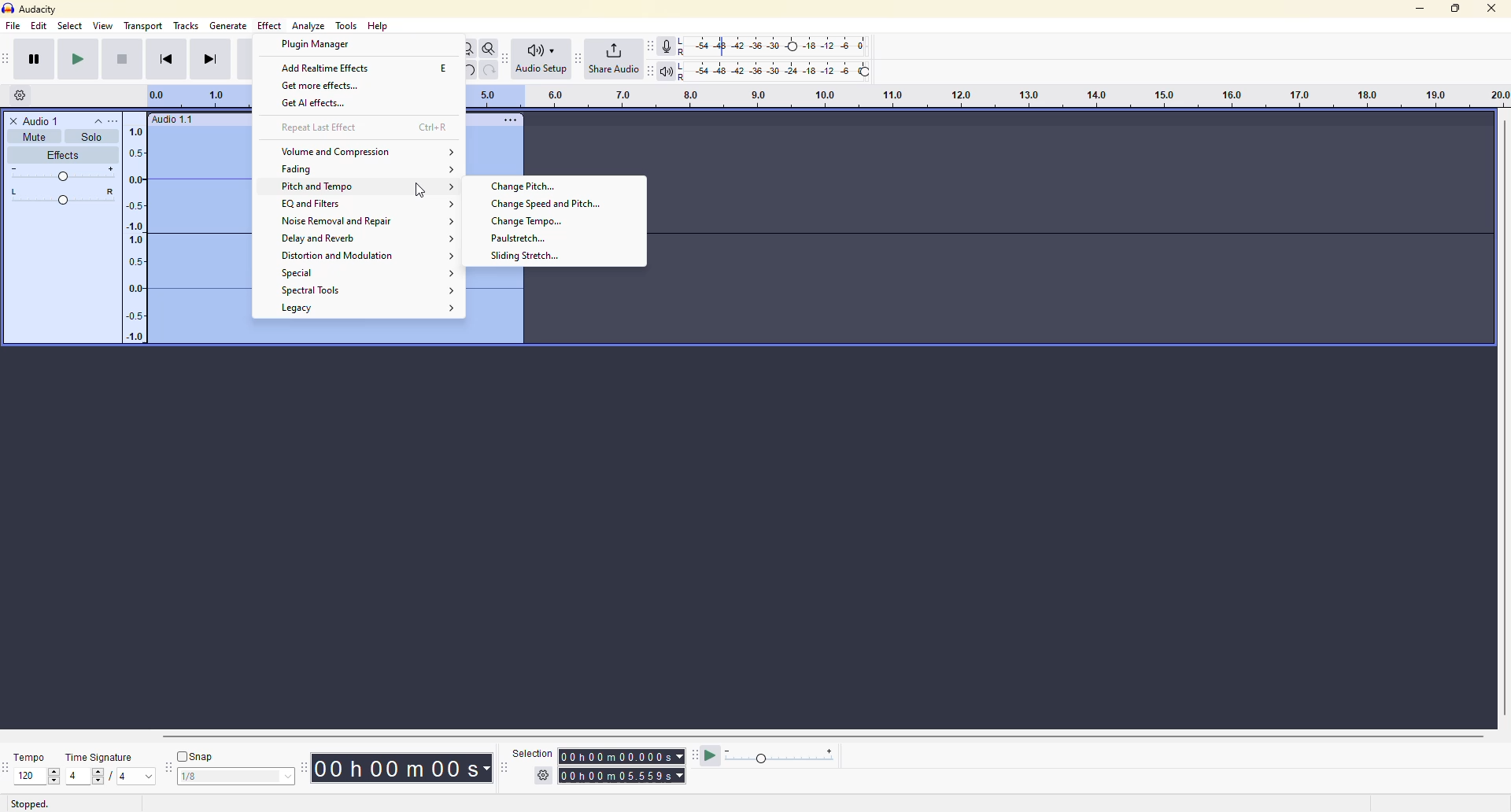 The width and height of the screenshot is (1511, 812). I want to click on recording meter toolbar, so click(650, 46).